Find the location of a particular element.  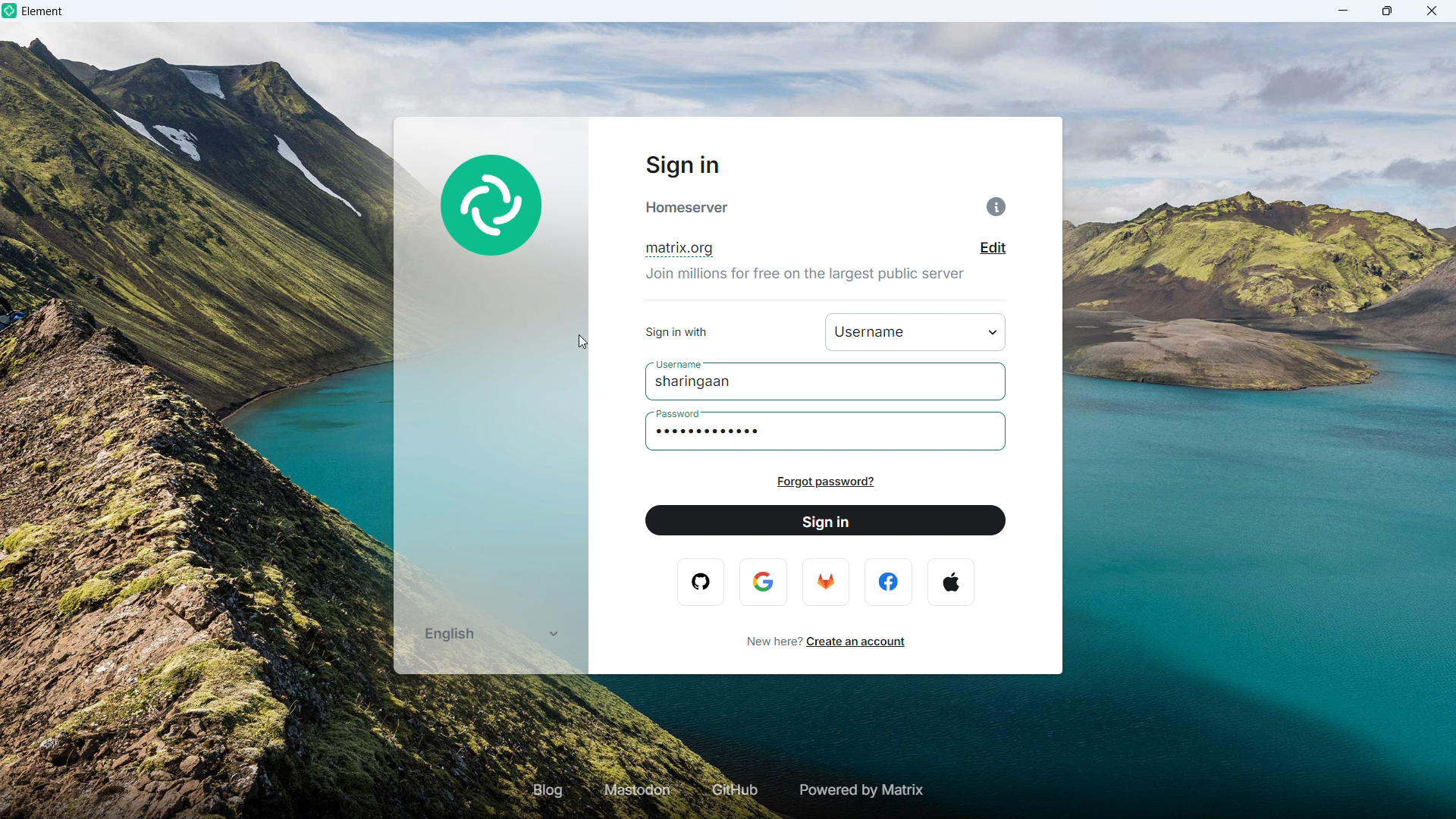

join millions for free on the largest public server is located at coordinates (808, 280).